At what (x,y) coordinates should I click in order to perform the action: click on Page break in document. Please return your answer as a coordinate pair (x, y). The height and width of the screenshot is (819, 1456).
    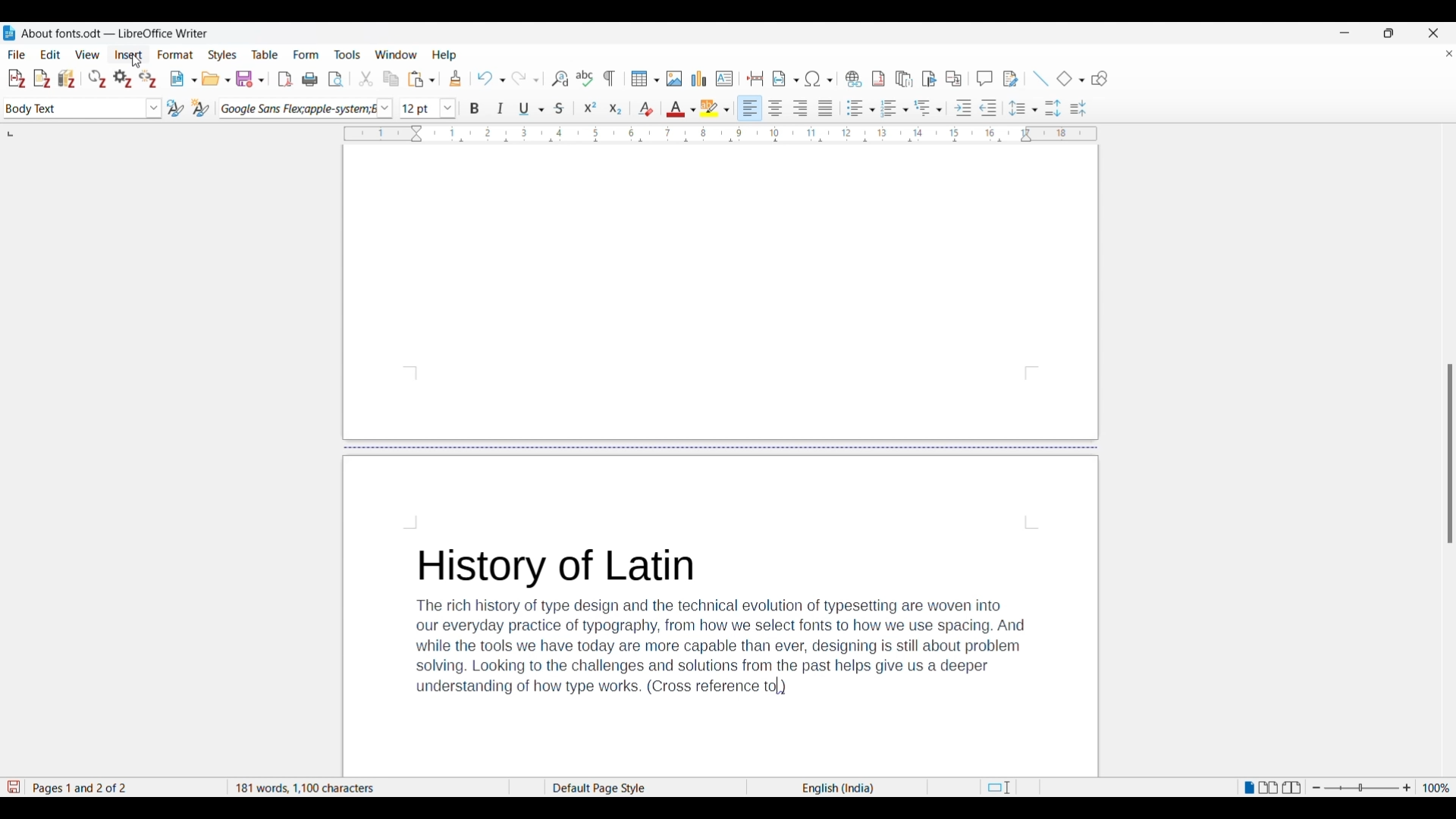
    Looking at the image, I should click on (722, 447).